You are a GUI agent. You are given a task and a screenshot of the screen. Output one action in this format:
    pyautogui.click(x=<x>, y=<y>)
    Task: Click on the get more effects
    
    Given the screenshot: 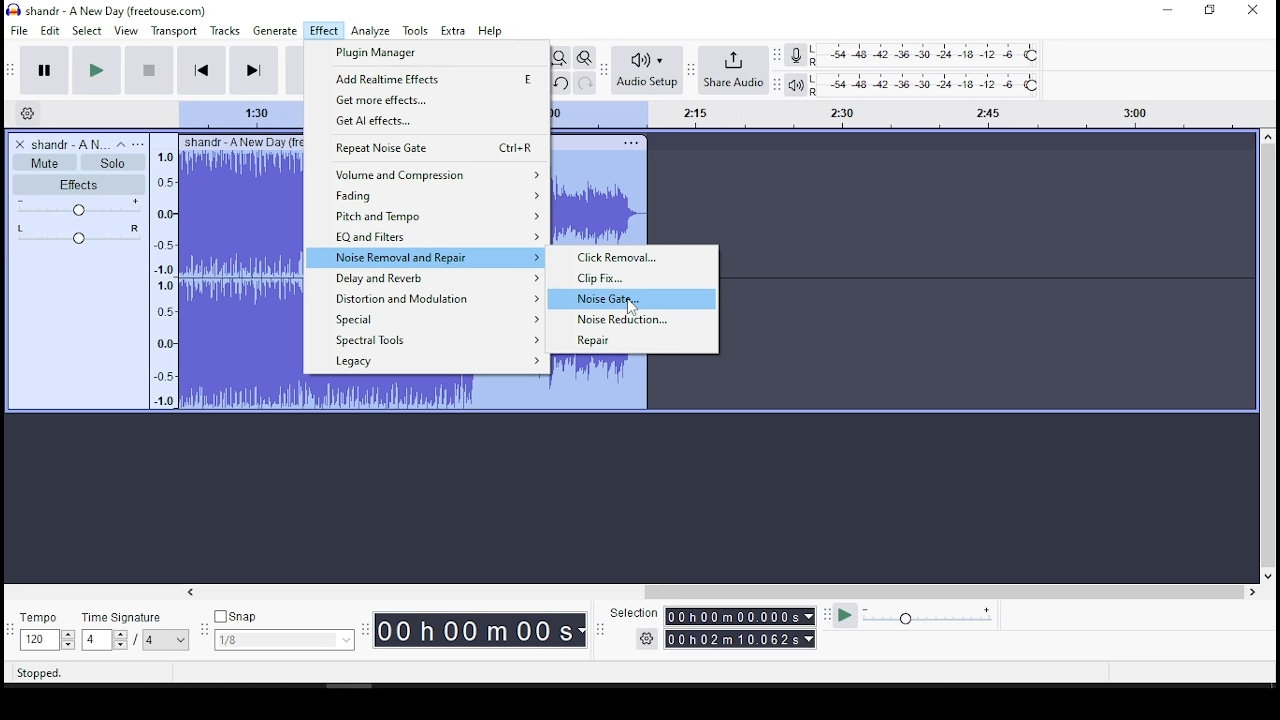 What is the action you would take?
    pyautogui.click(x=429, y=99)
    